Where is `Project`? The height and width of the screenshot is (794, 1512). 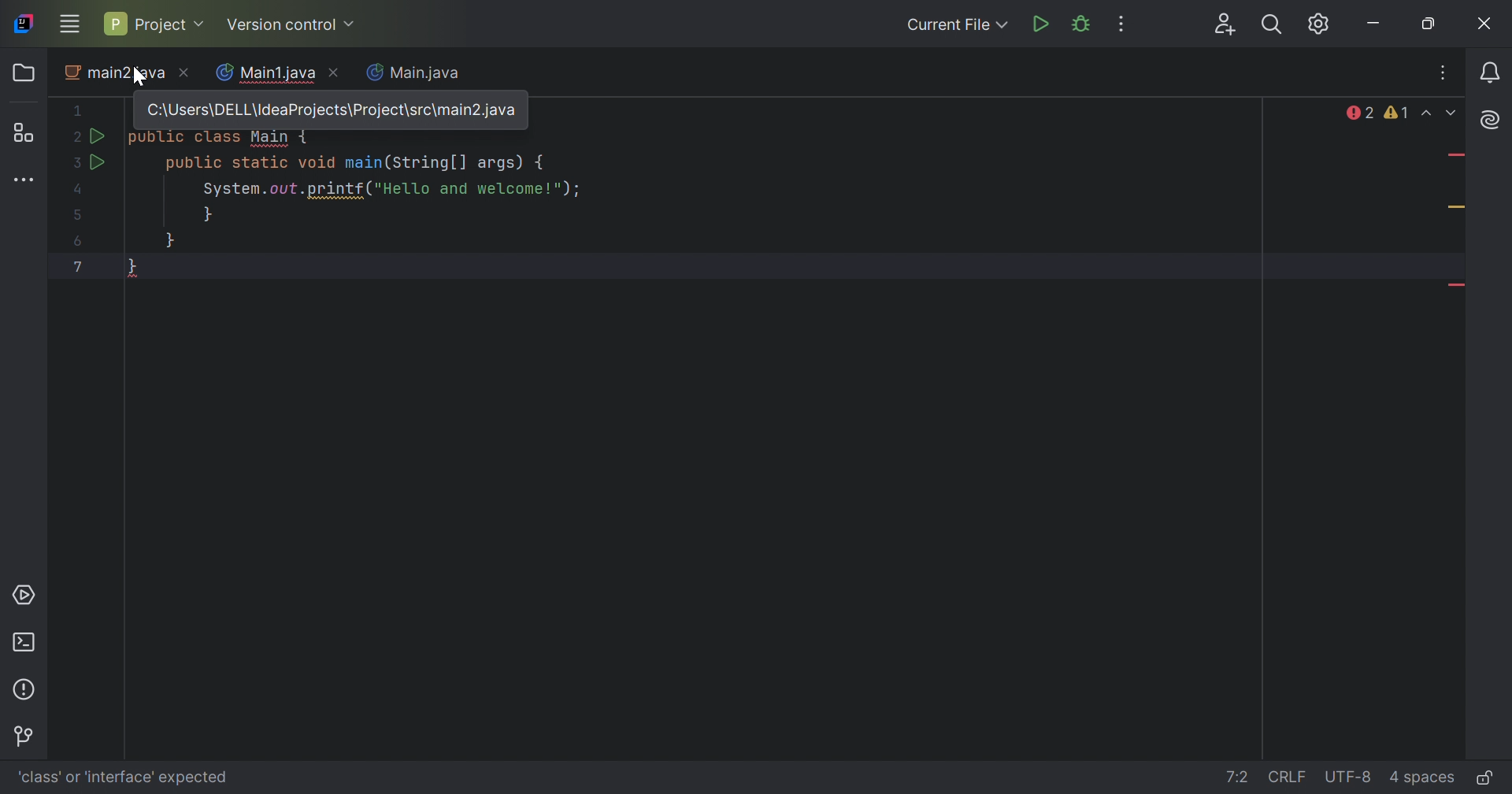
Project is located at coordinates (157, 25).